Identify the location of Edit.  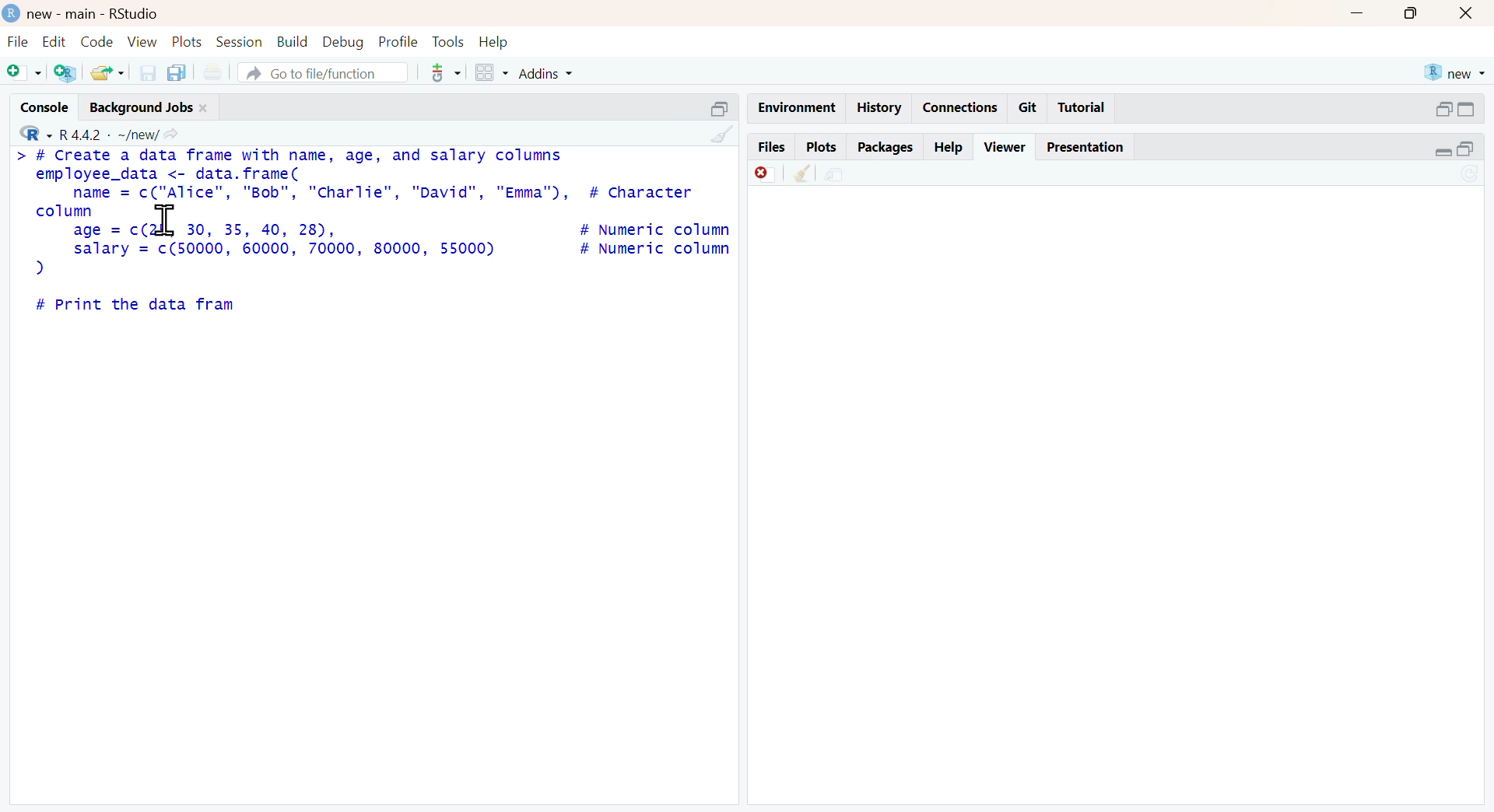
(53, 41).